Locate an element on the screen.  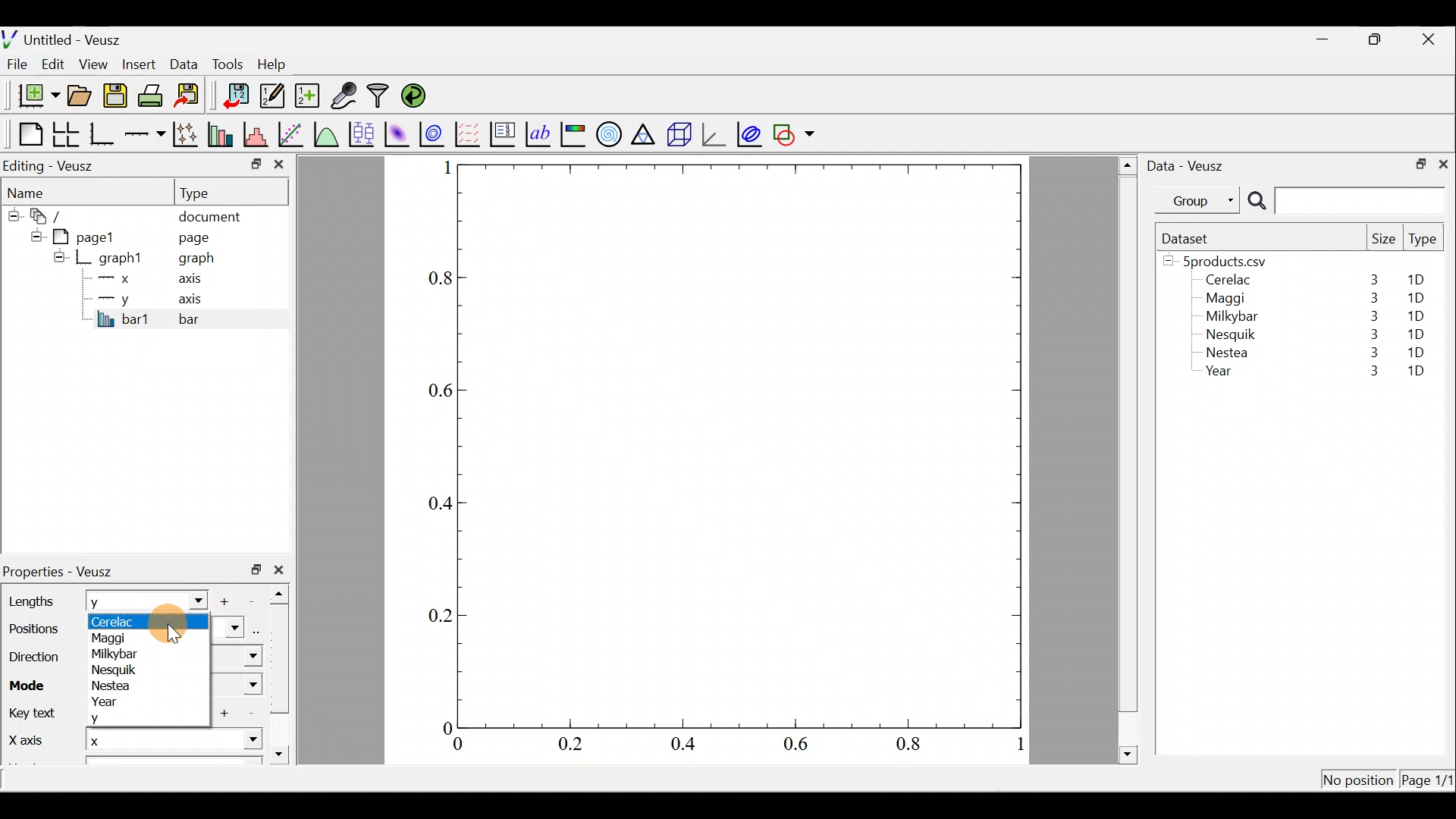
Type is located at coordinates (209, 192).